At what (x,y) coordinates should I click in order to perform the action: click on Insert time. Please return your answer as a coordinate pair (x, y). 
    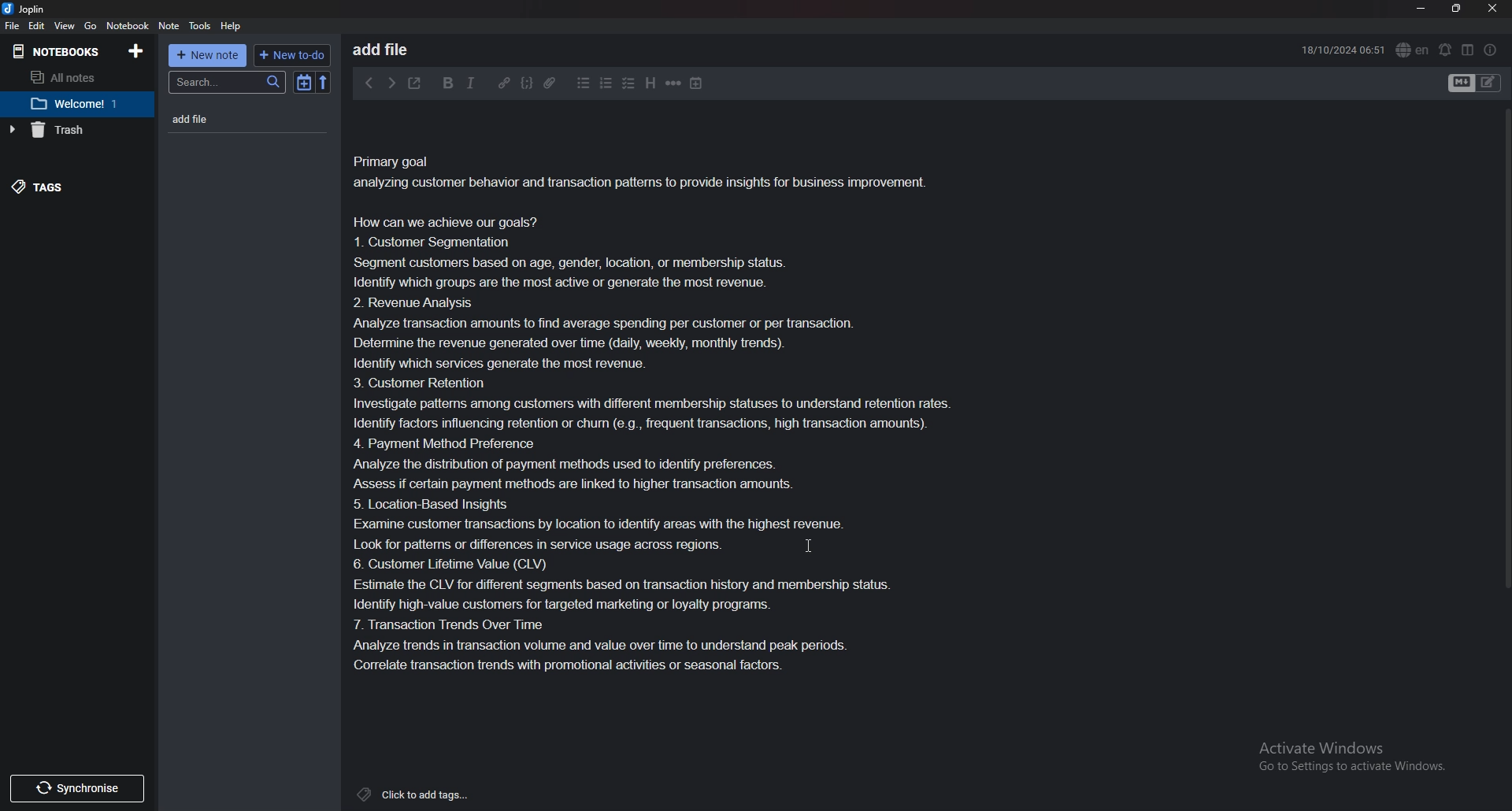
    Looking at the image, I should click on (696, 83).